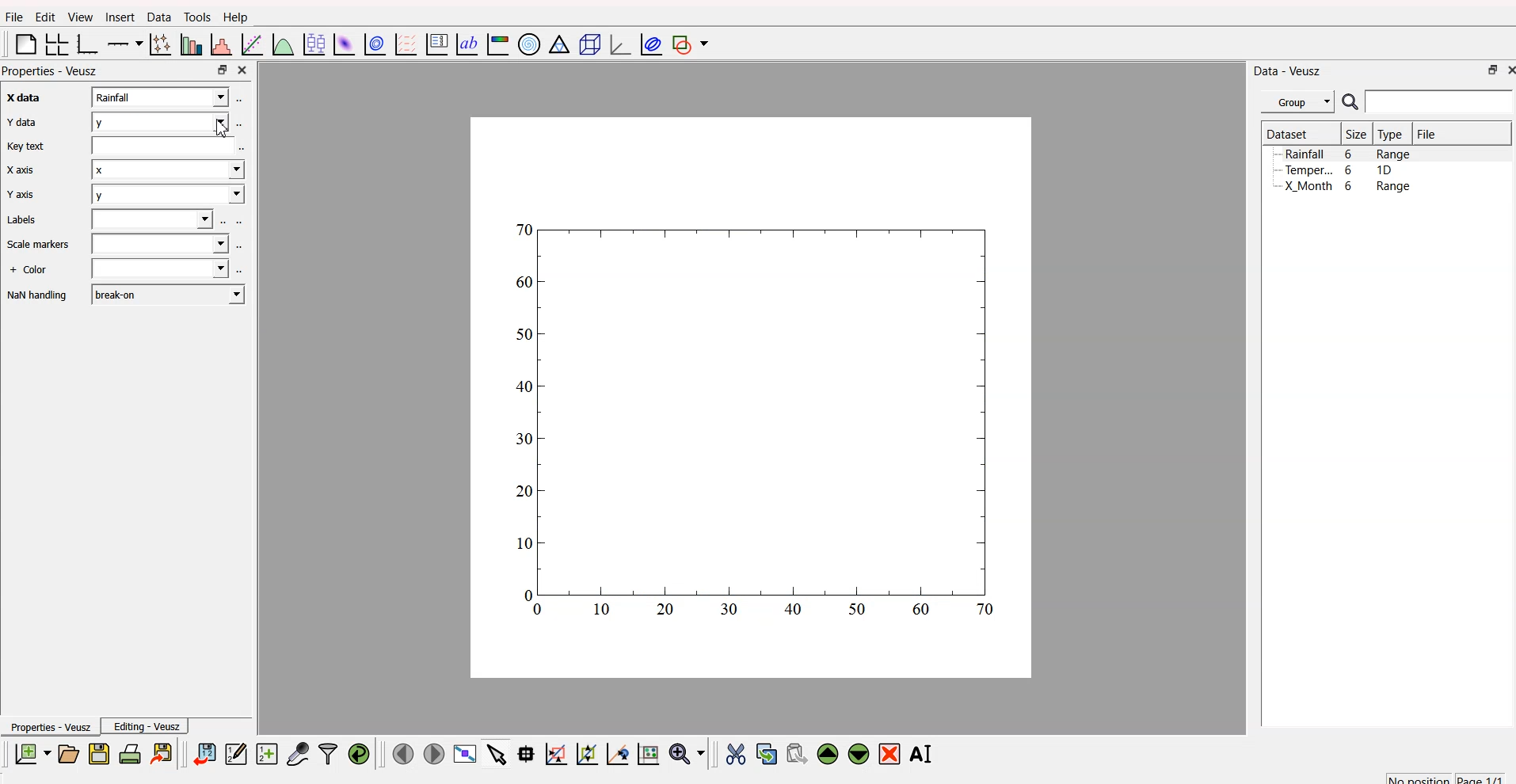  I want to click on export to graphics format, so click(164, 752).